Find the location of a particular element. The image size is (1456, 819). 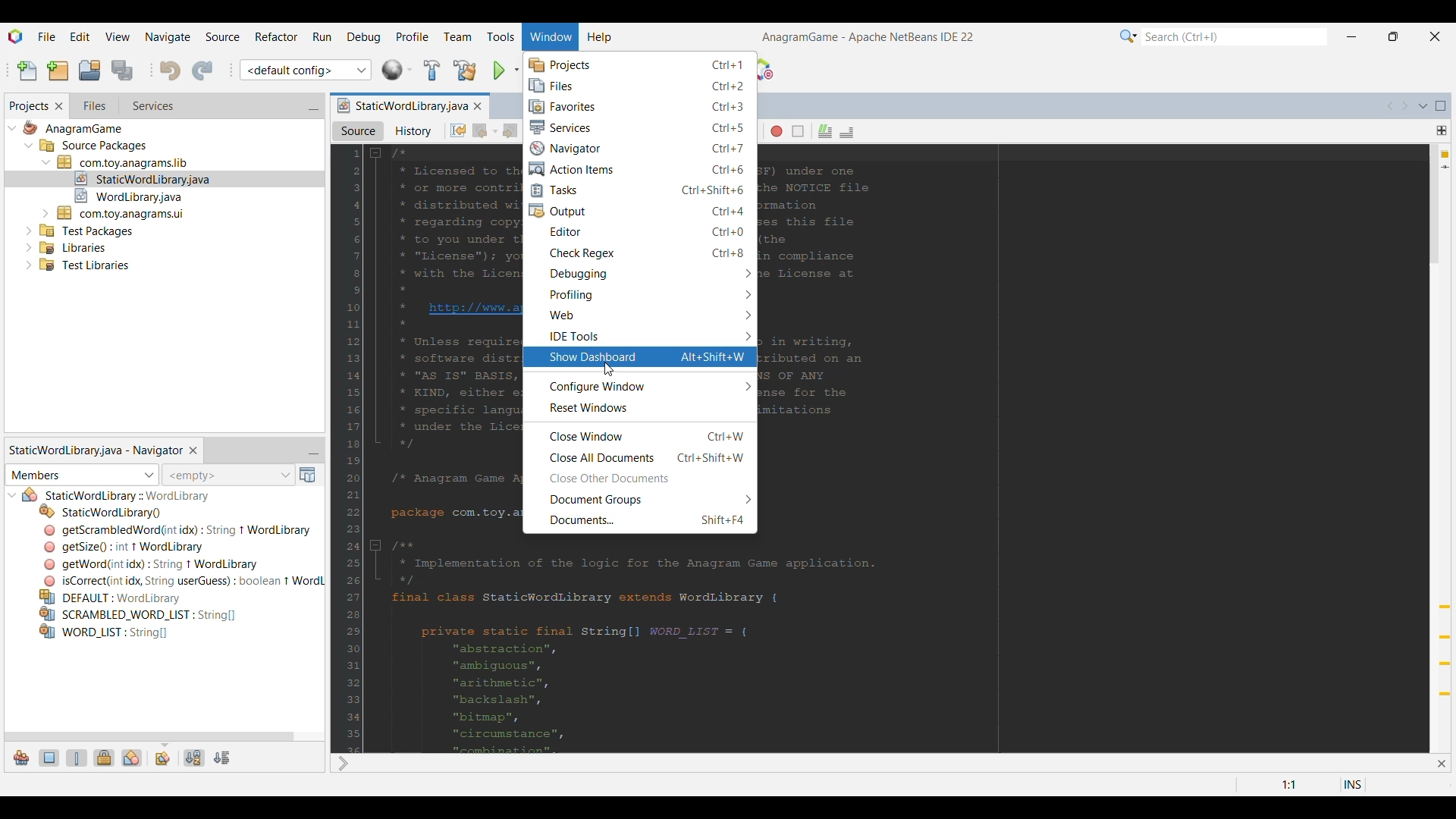

 is located at coordinates (102, 511).